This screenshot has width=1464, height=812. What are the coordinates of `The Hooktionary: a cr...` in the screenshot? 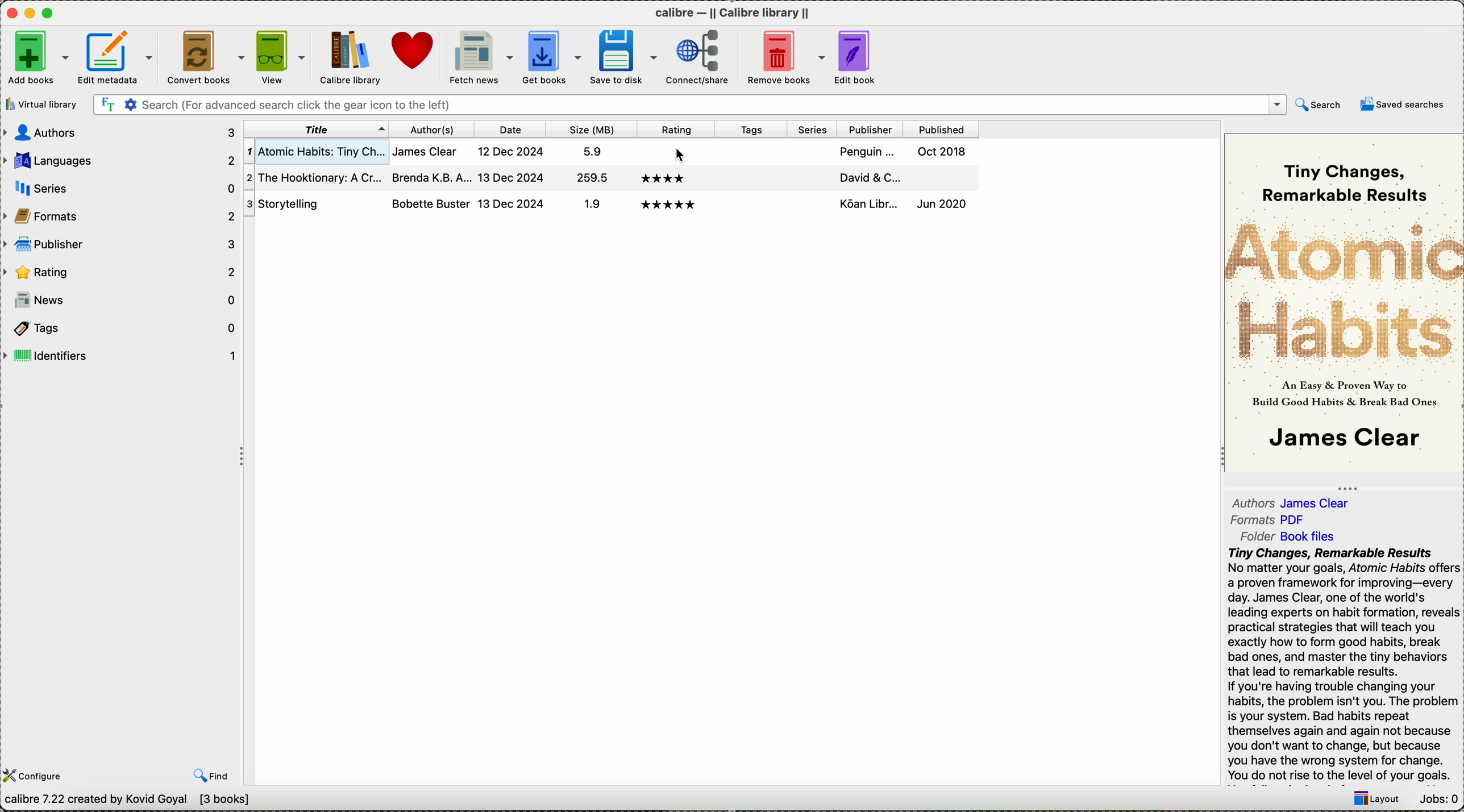 It's located at (313, 178).